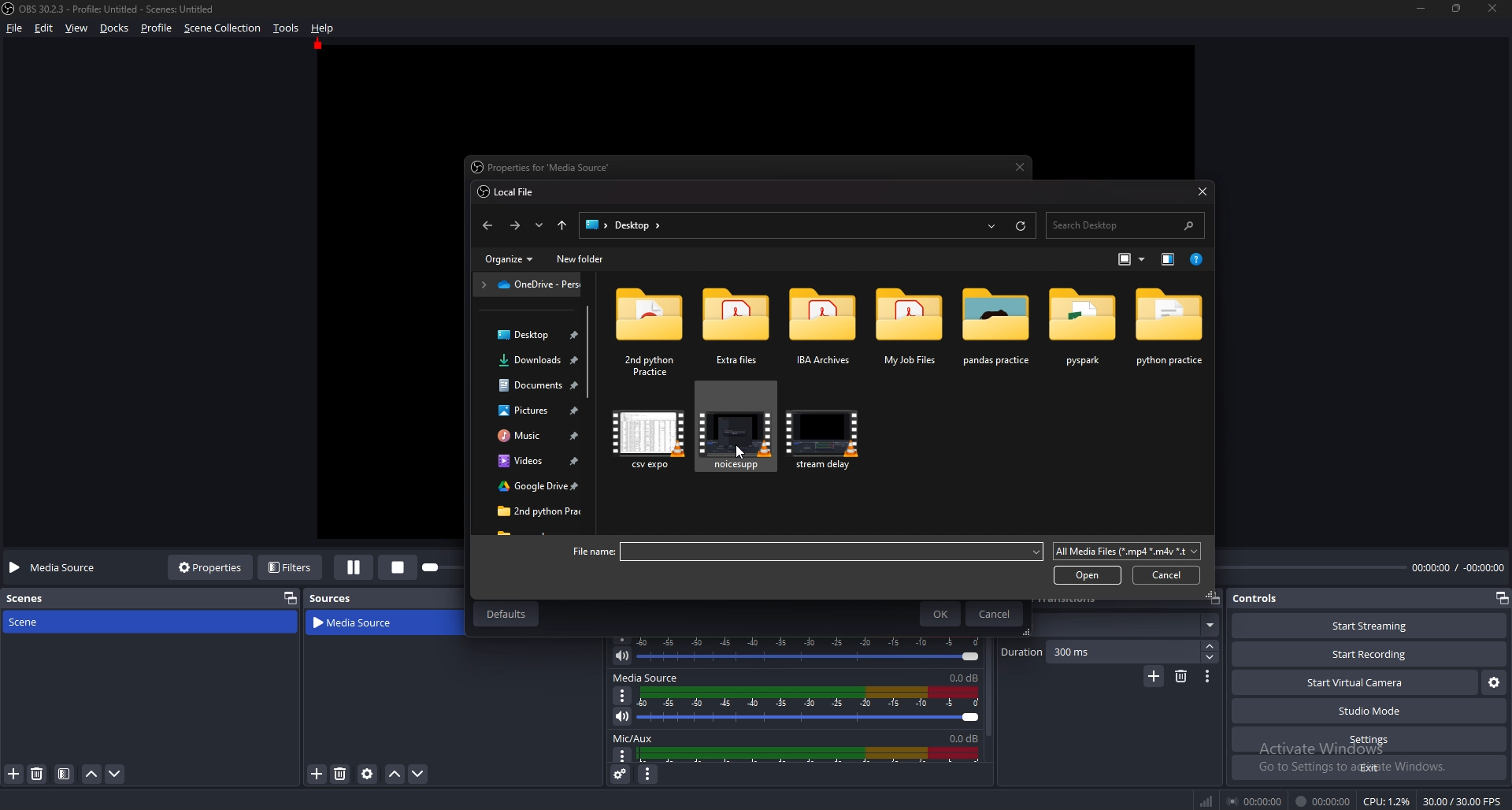  I want to click on media source, so click(646, 678).